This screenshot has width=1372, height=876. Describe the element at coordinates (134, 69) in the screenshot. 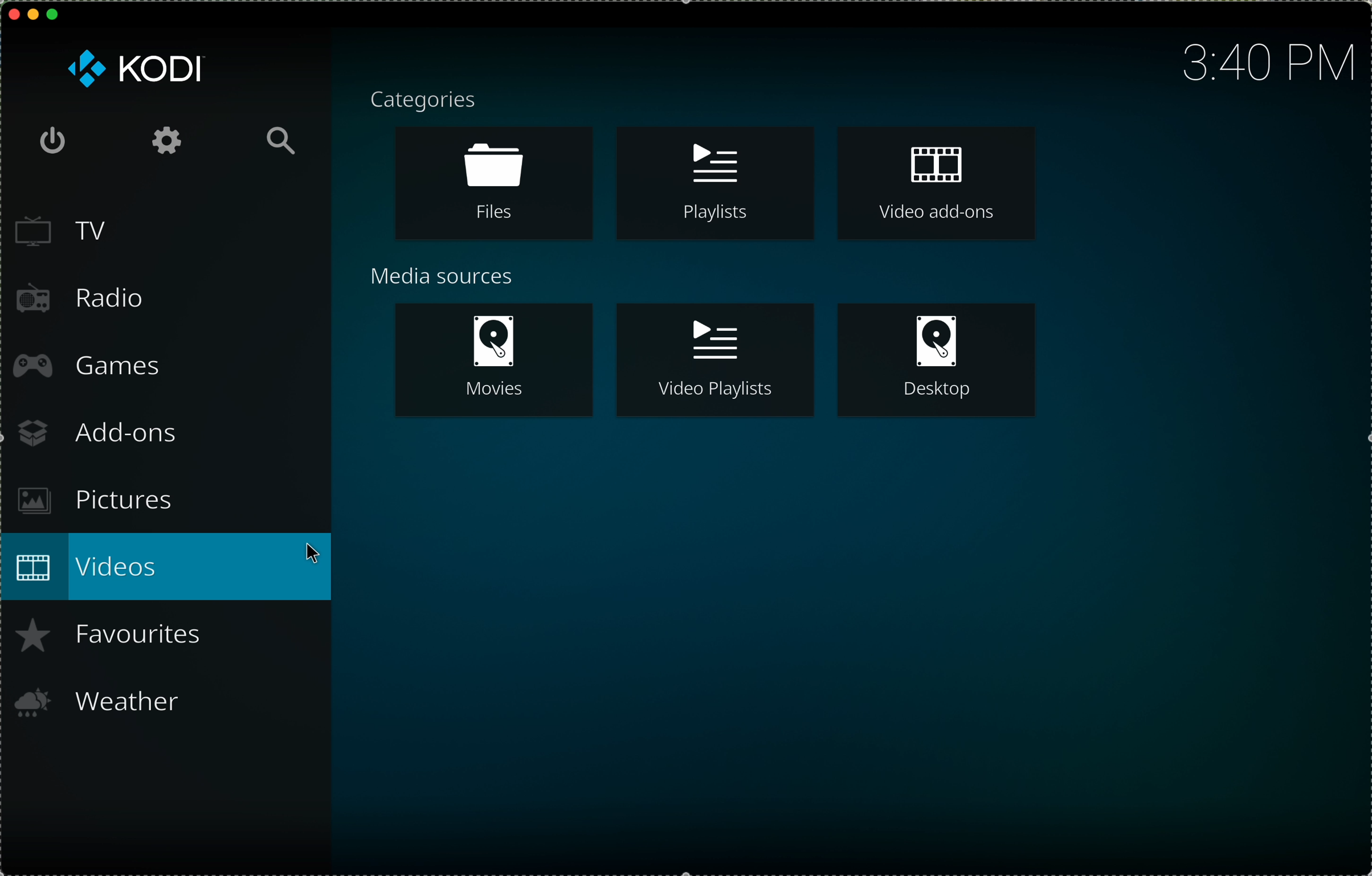

I see `KODI logo` at that location.